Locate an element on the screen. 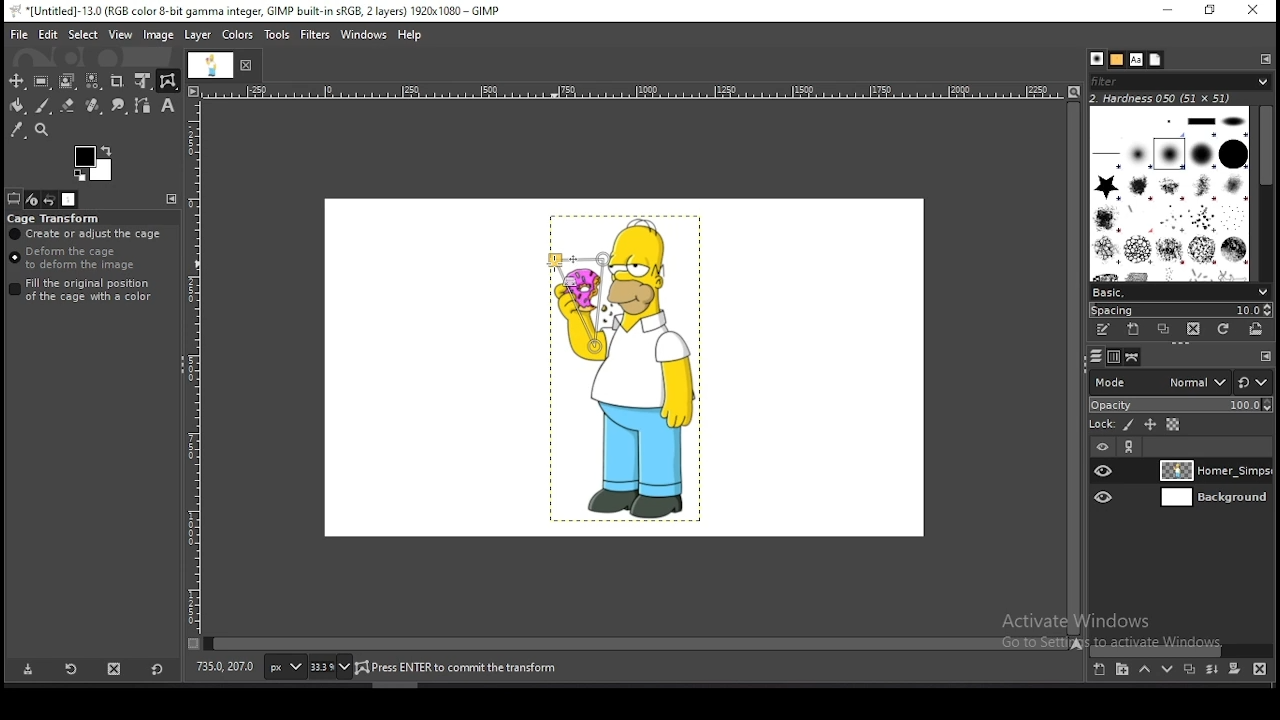 The width and height of the screenshot is (1280, 720). spacing is located at coordinates (1180, 309).